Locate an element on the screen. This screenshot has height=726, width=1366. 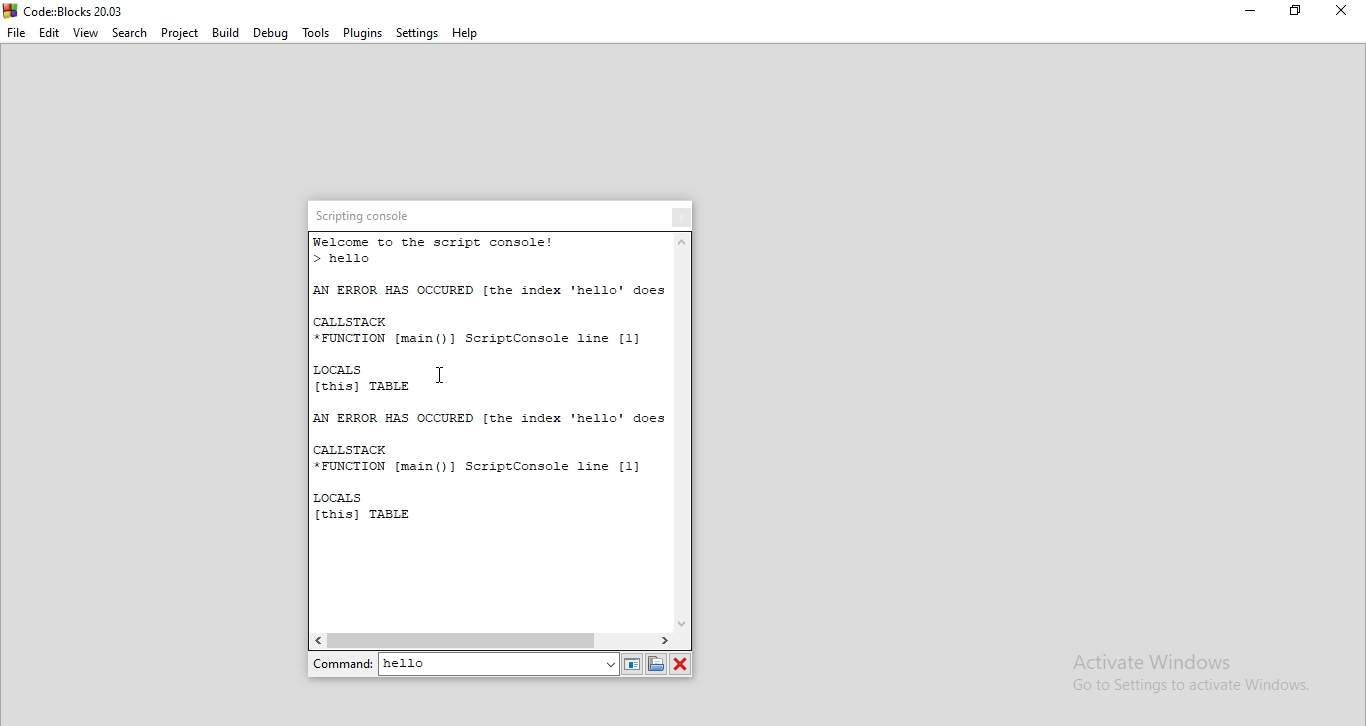
Text Cursor is located at coordinates (440, 375).